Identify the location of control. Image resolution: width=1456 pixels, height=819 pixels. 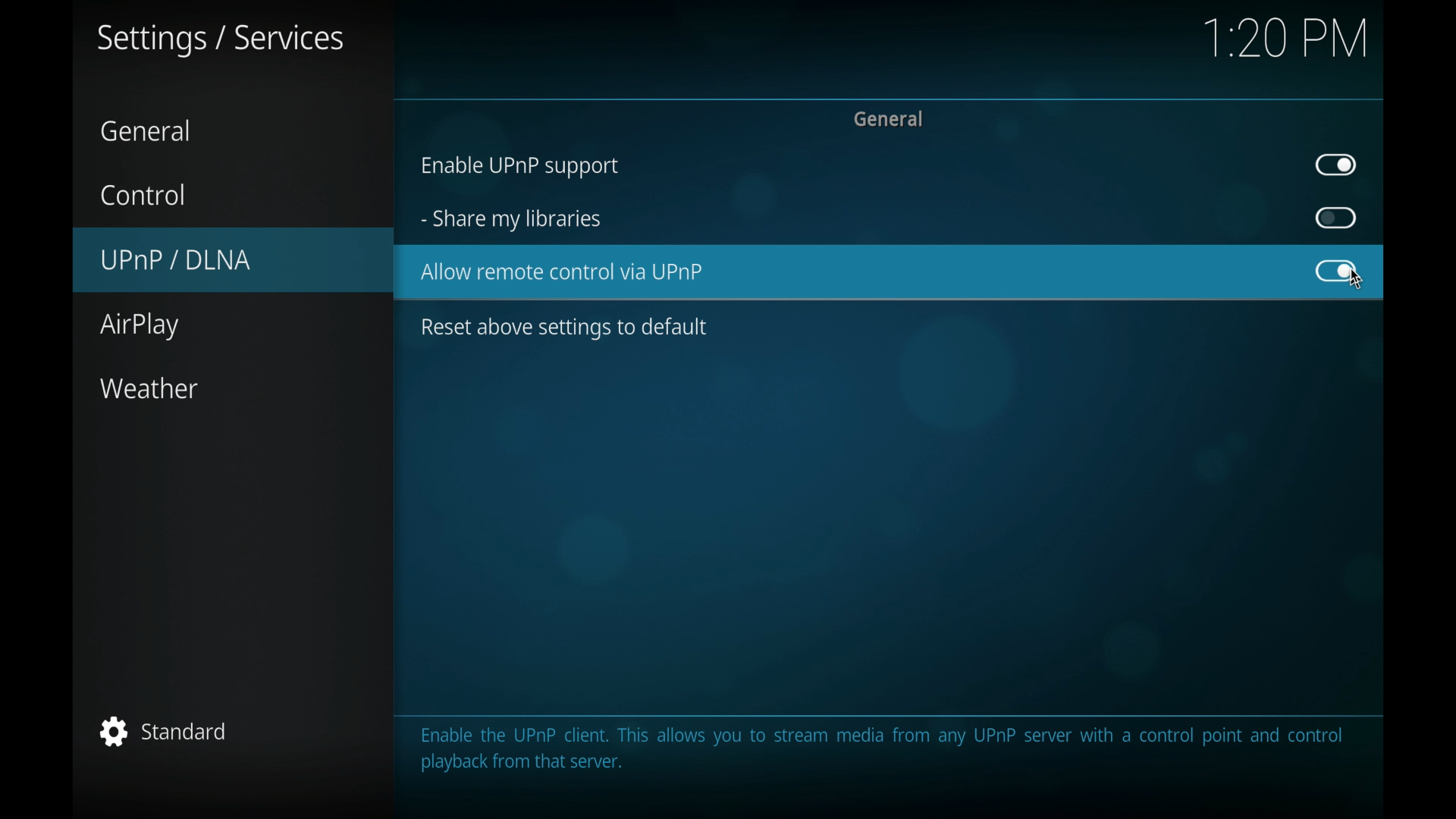
(143, 194).